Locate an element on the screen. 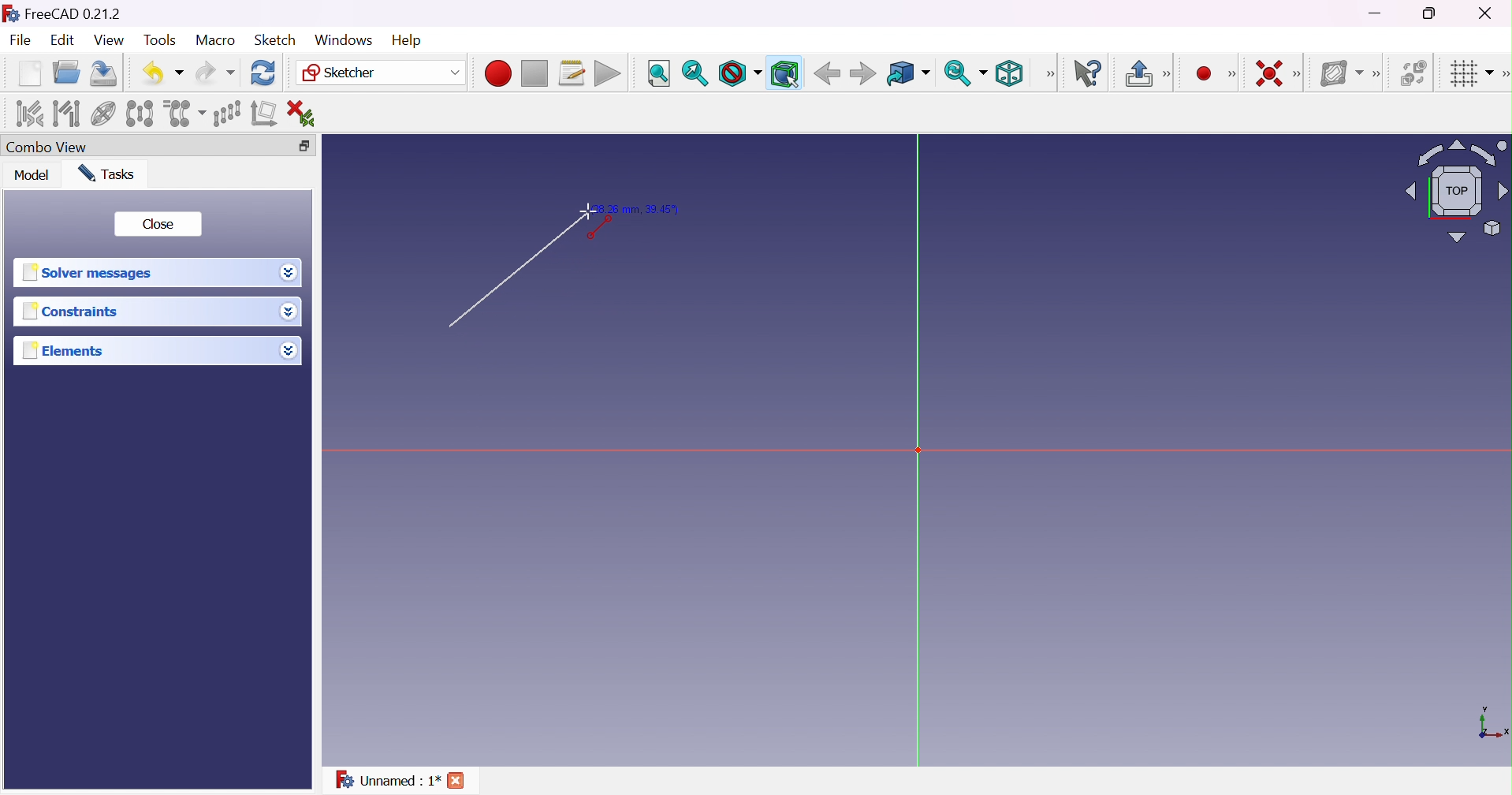 This screenshot has width=1512, height=795. Rectangular array is located at coordinates (225, 113).